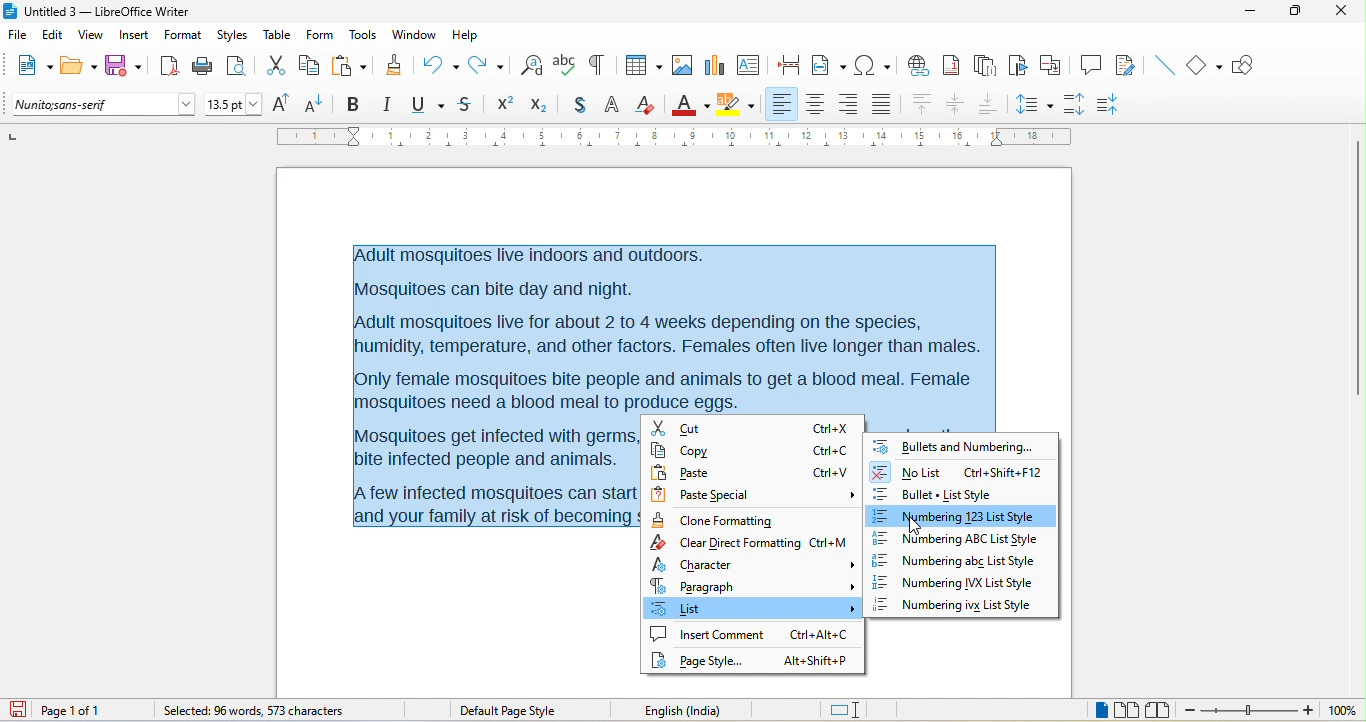  What do you see at coordinates (690, 103) in the screenshot?
I see `font color` at bounding box center [690, 103].